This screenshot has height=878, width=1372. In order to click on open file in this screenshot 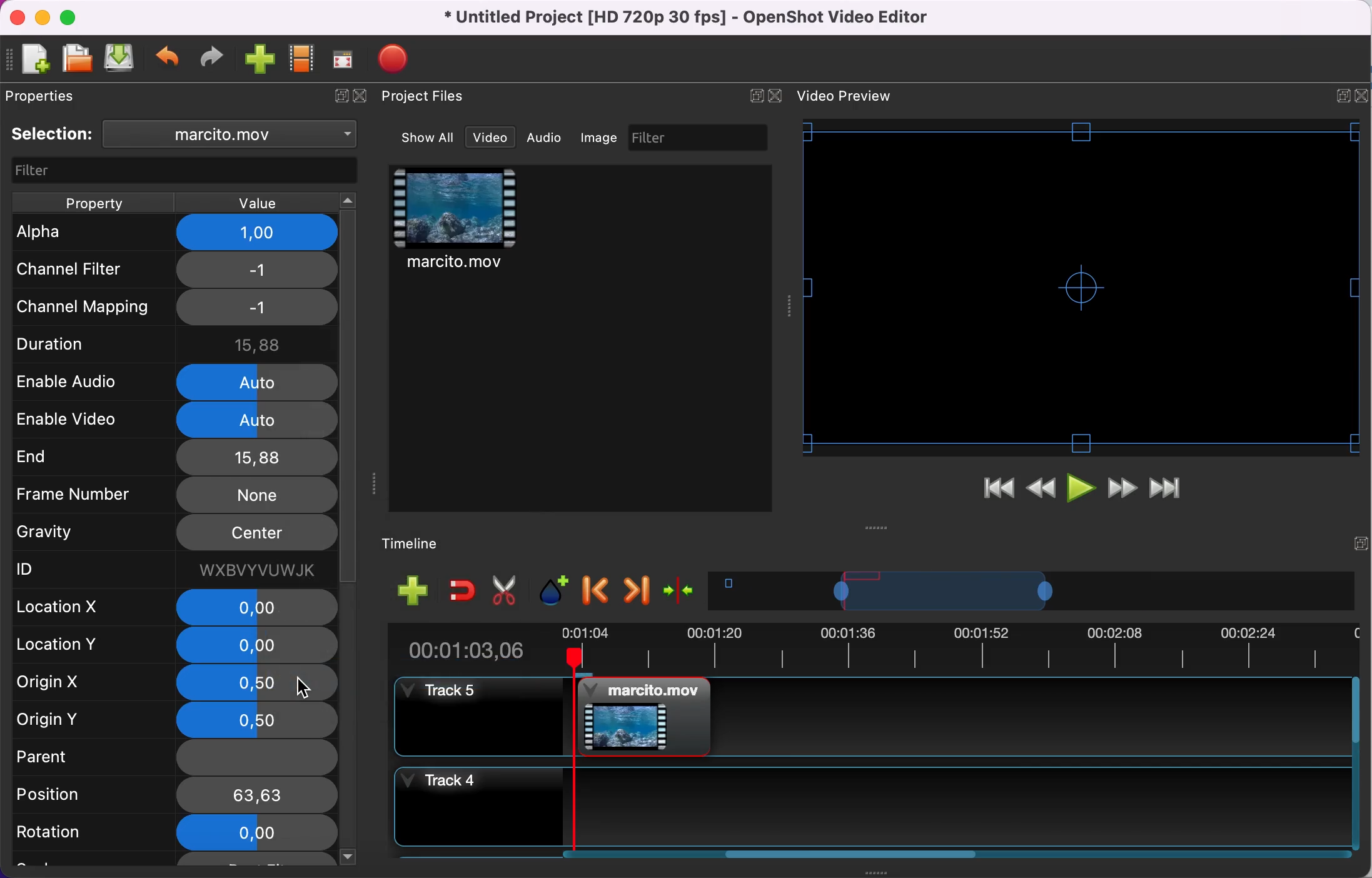, I will do `click(76, 59)`.